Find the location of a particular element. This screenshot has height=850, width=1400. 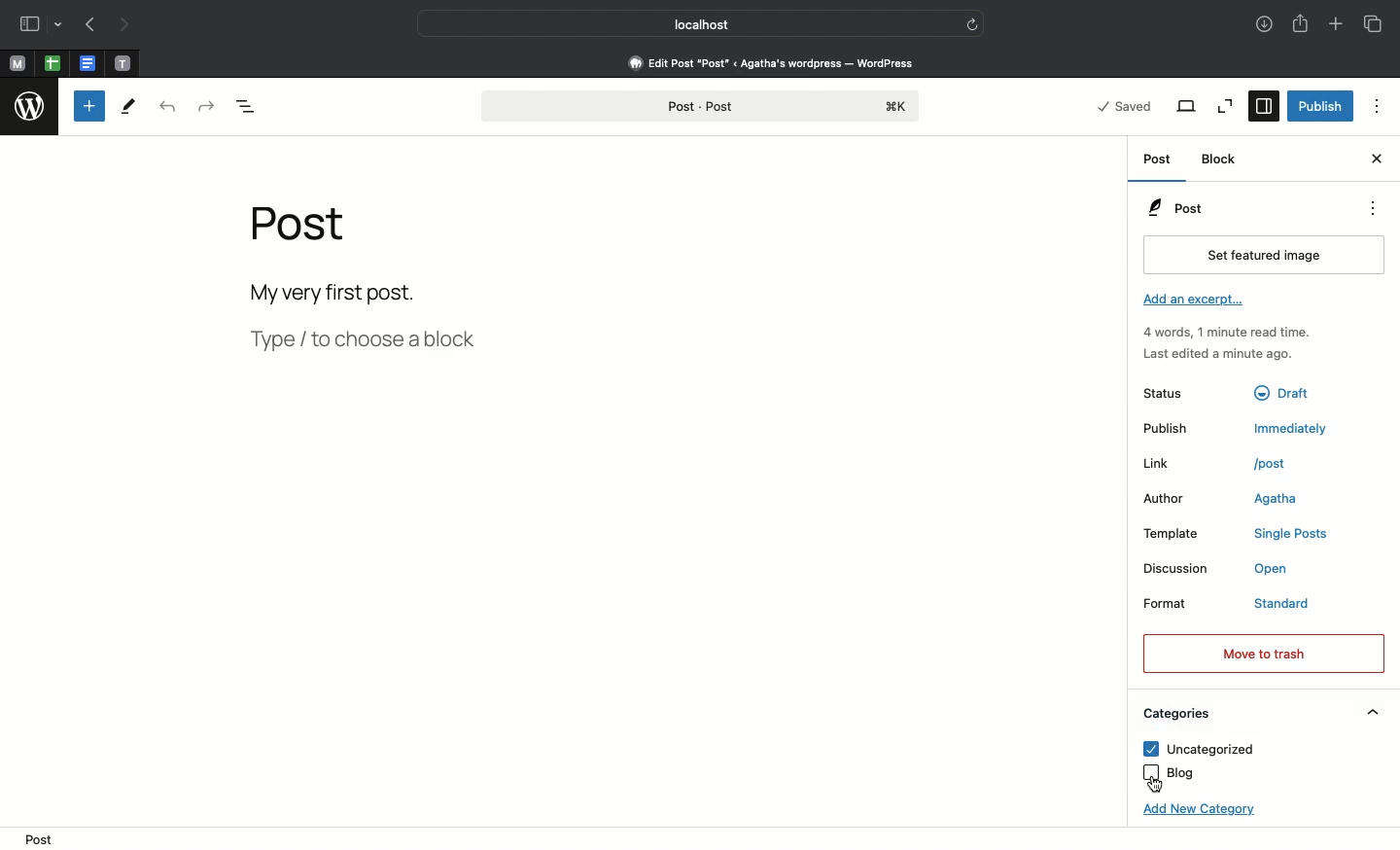

/post is located at coordinates (1280, 463).